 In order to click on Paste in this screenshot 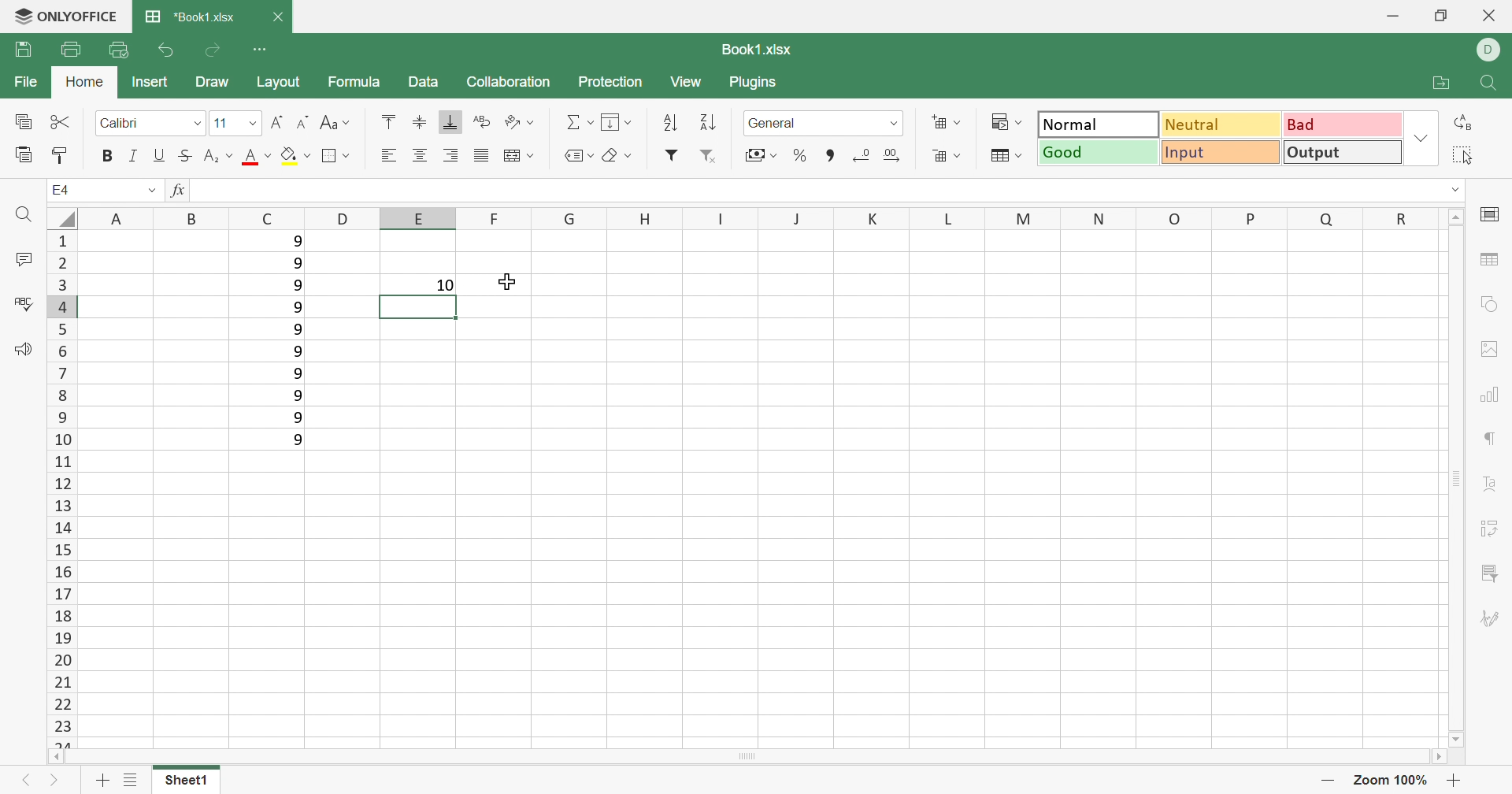, I will do `click(23, 155)`.